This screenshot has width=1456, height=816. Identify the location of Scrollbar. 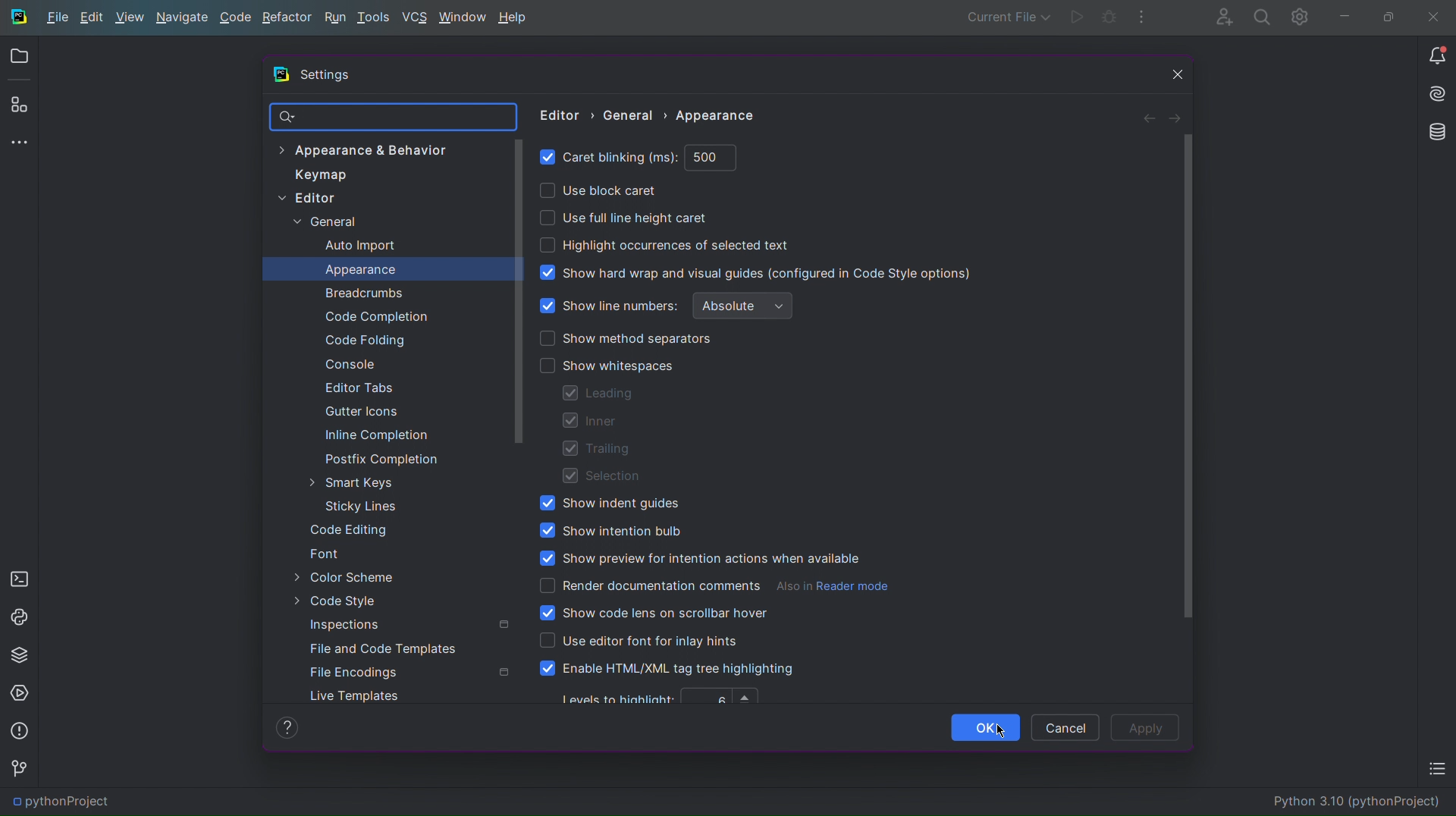
(1187, 378).